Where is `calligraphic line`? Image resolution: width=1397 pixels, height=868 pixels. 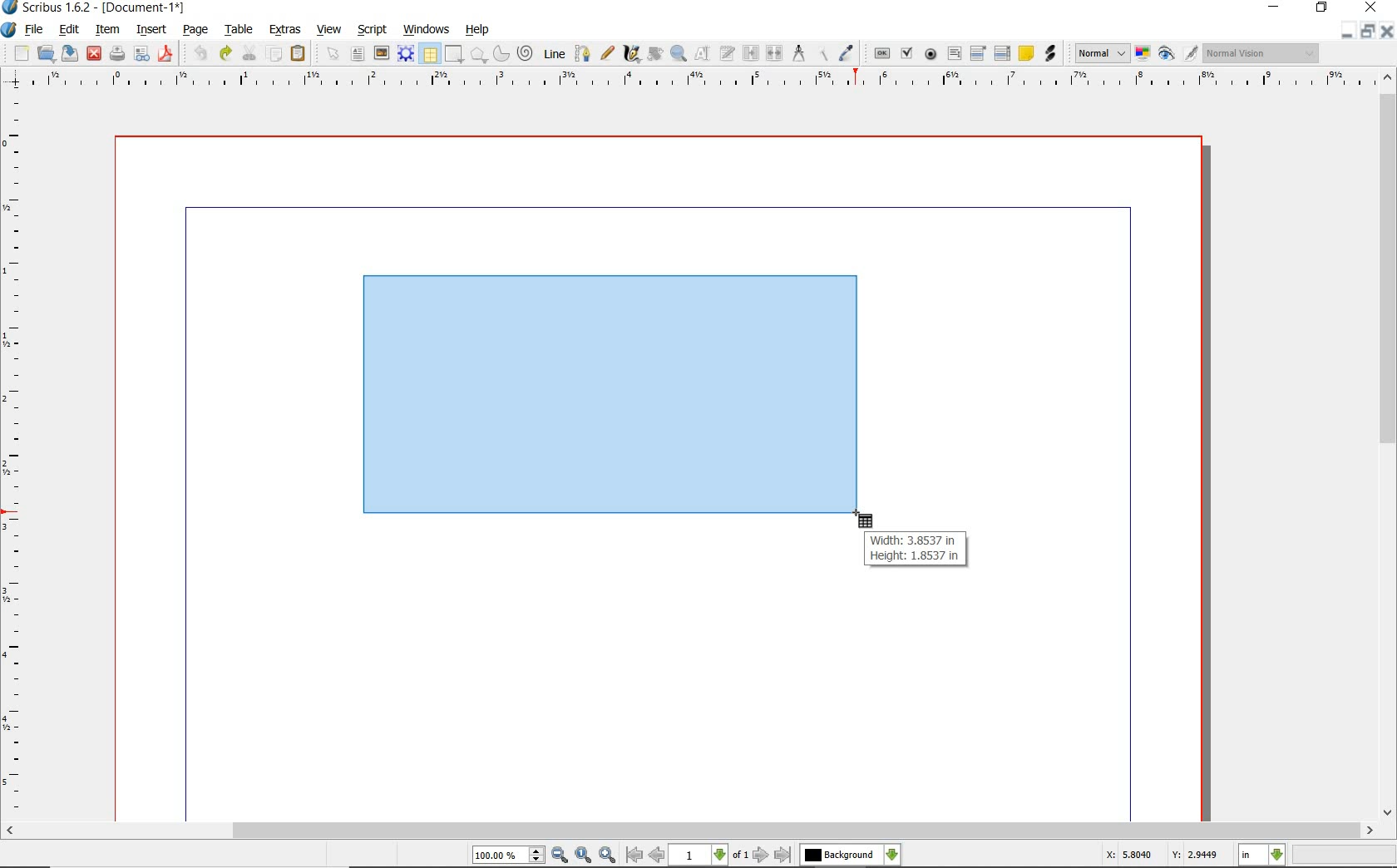
calligraphic line is located at coordinates (632, 54).